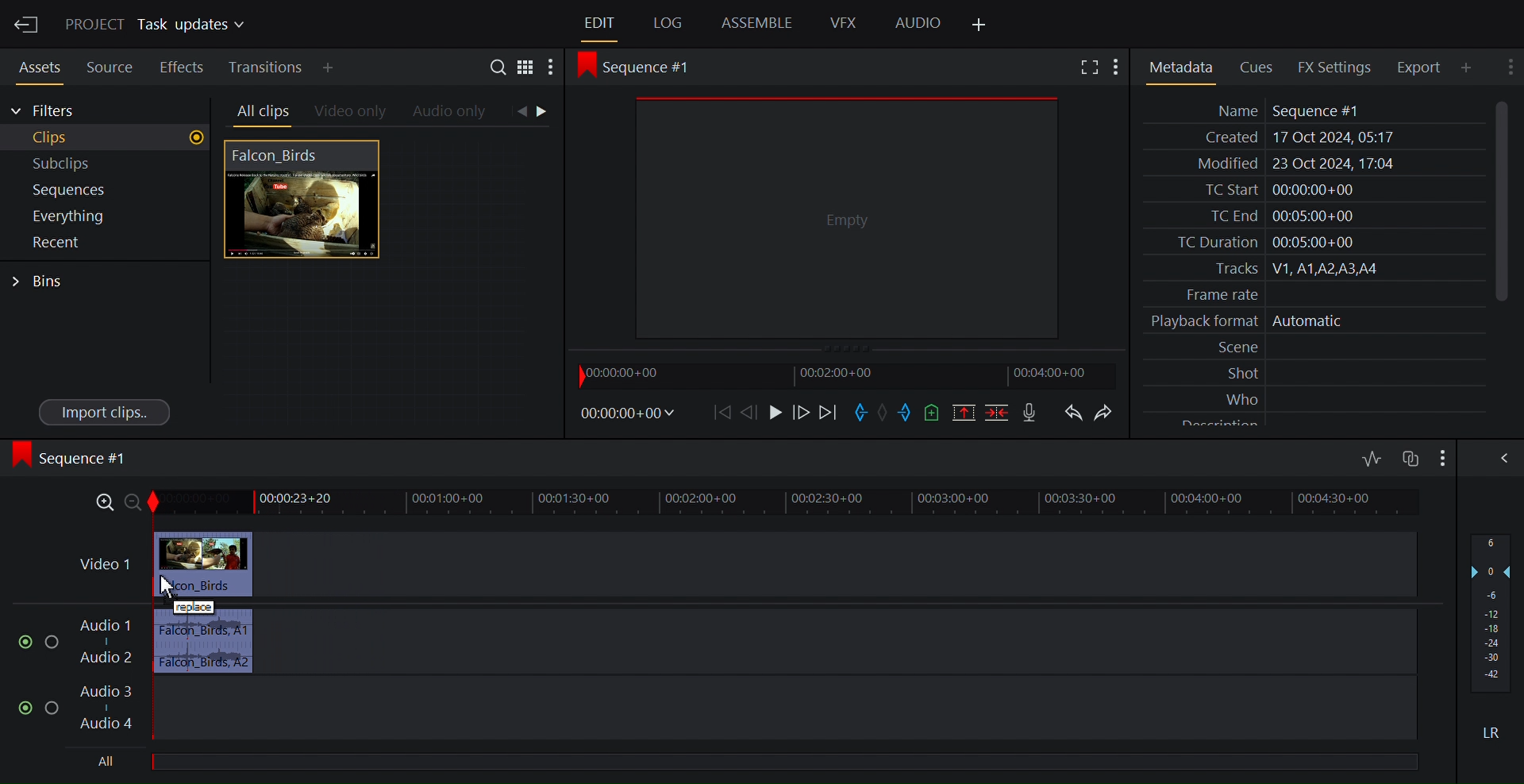  Describe the element at coordinates (35, 65) in the screenshot. I see `Assets Panel` at that location.